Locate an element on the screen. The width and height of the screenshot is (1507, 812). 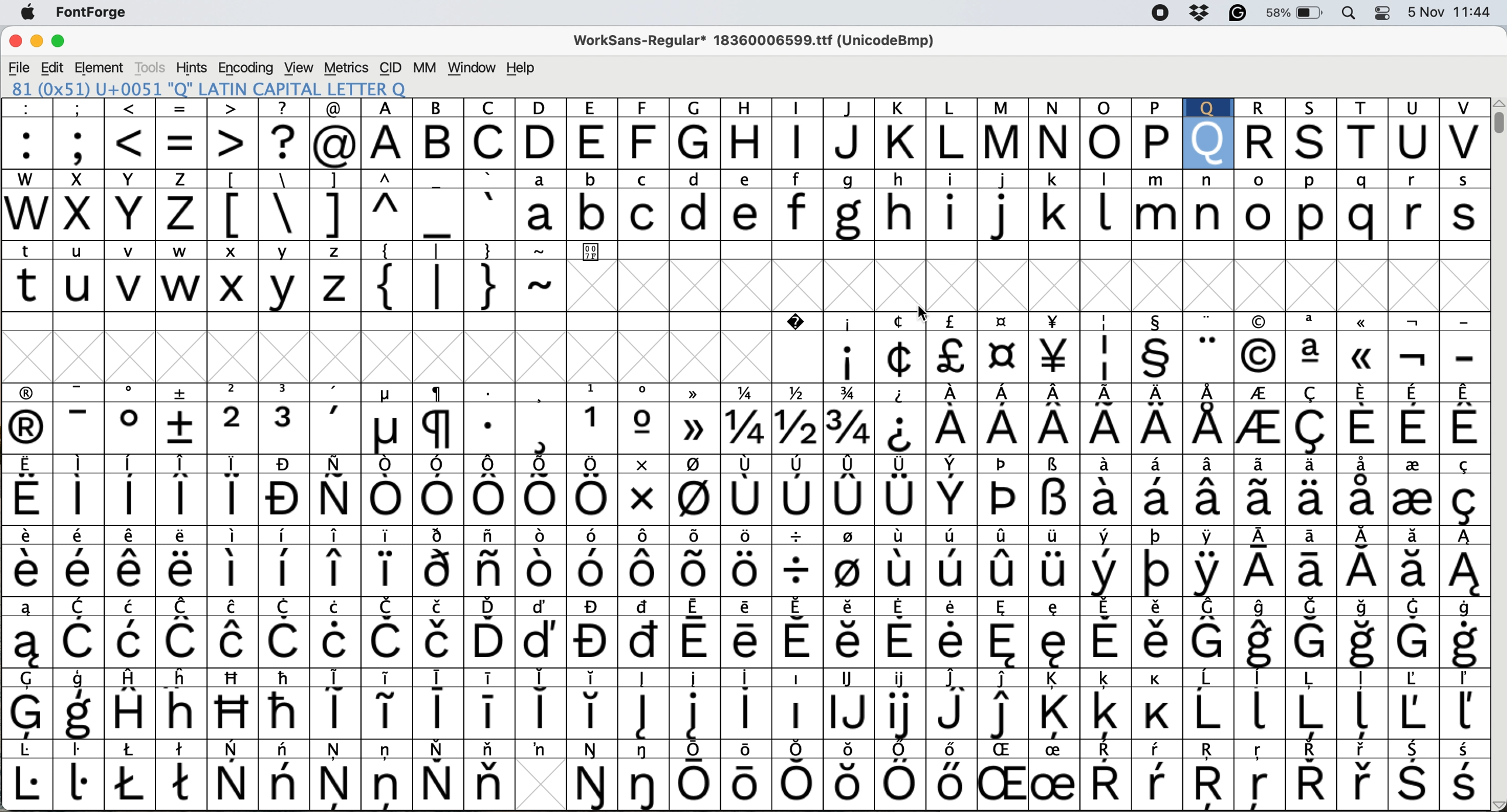
WorkSans-Regular* 18360006599.ttf (UnicodeBmp) is located at coordinates (770, 43).